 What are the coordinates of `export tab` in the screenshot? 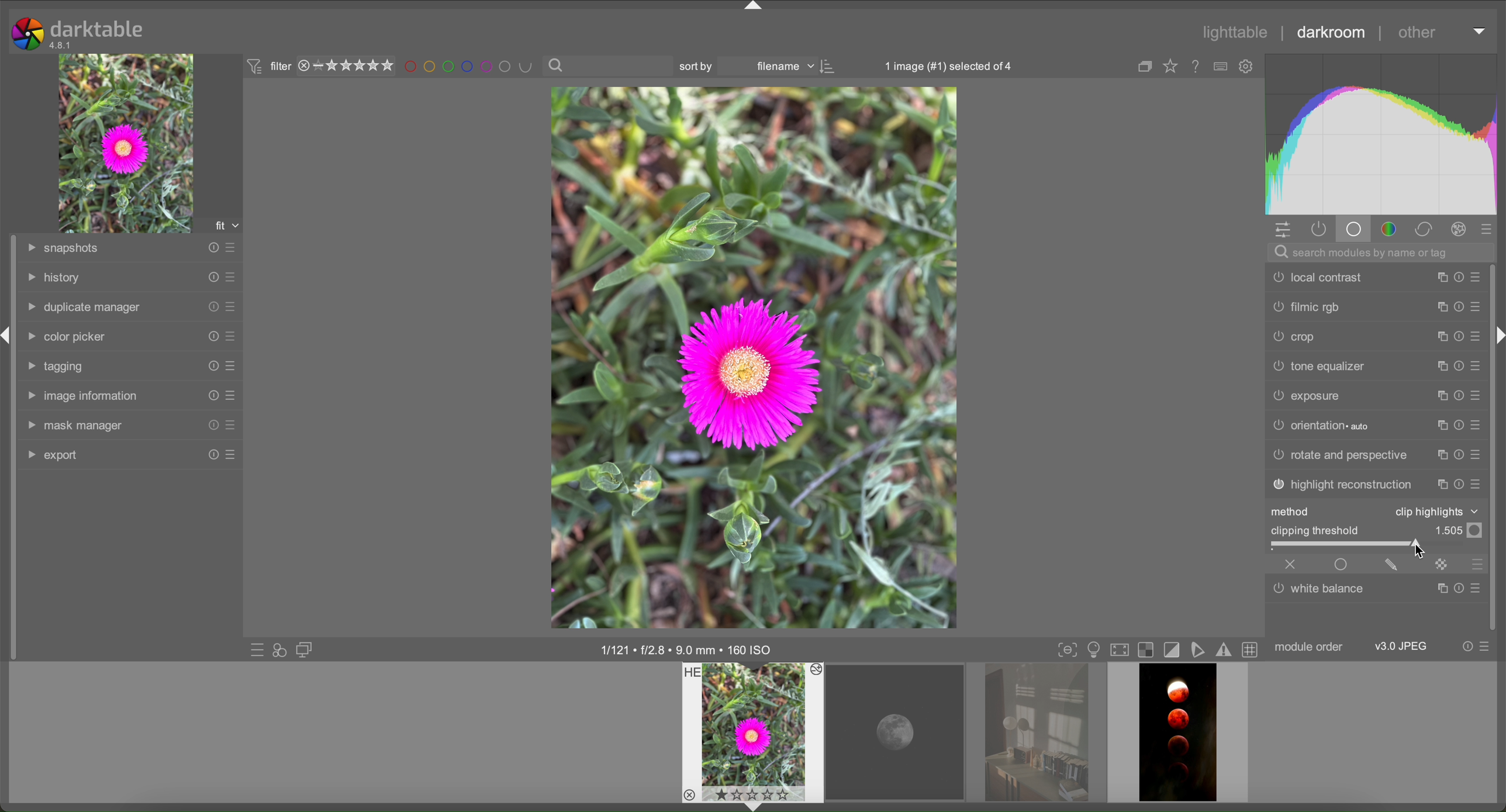 It's located at (53, 454).